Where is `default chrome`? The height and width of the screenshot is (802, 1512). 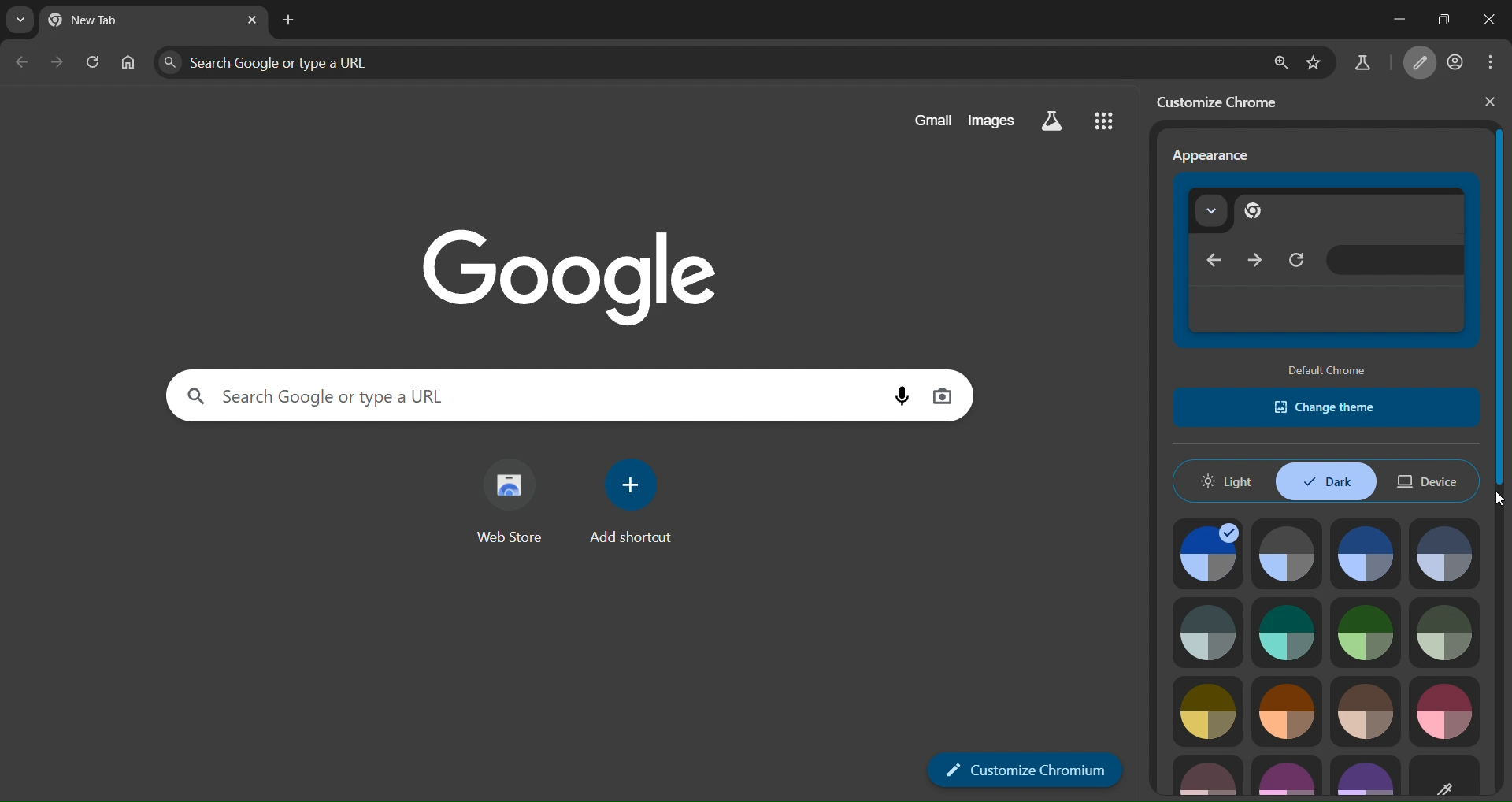
default chrome is located at coordinates (1333, 372).